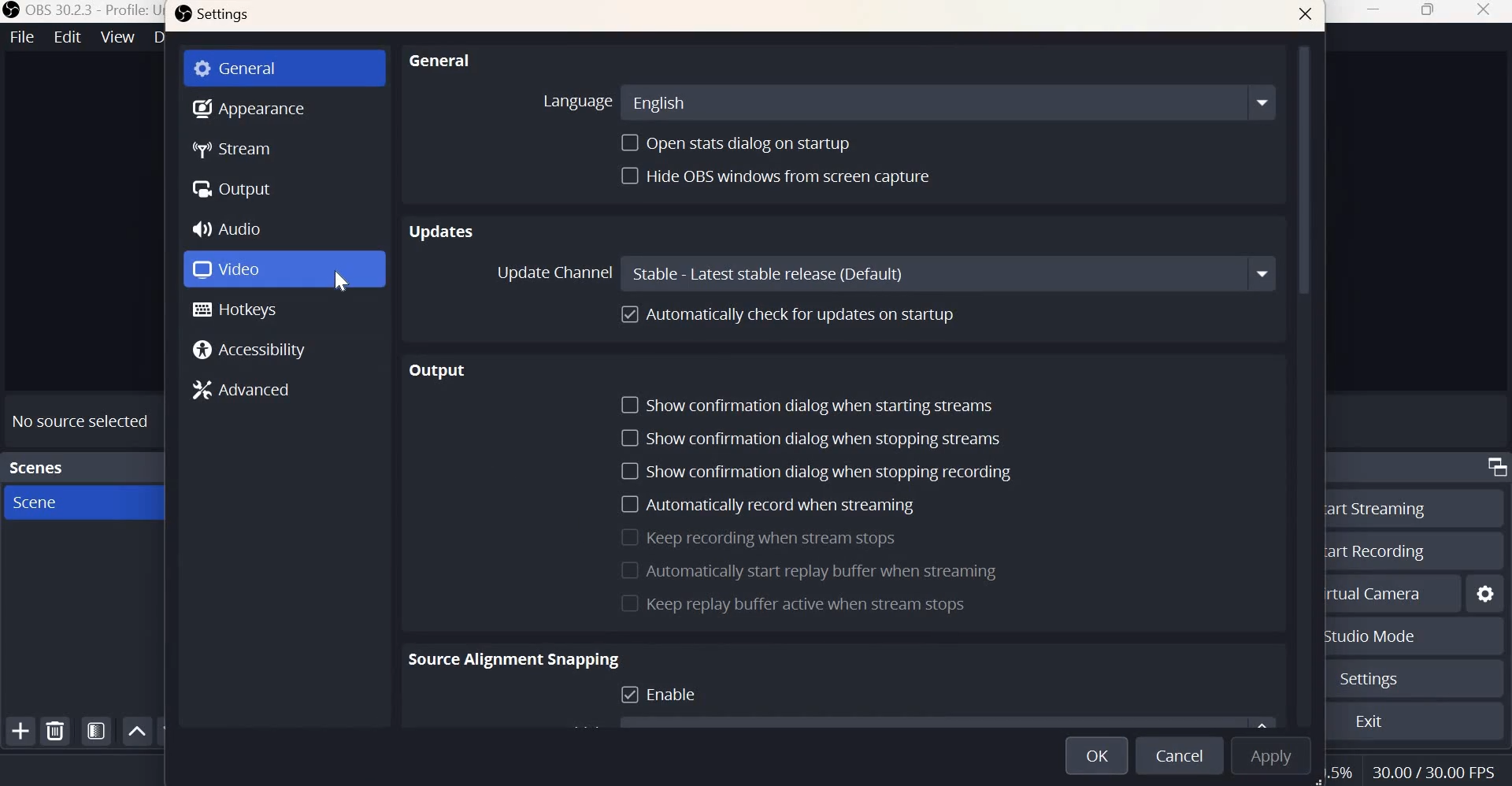 This screenshot has width=1512, height=786. I want to click on remove selected scene , so click(56, 732).